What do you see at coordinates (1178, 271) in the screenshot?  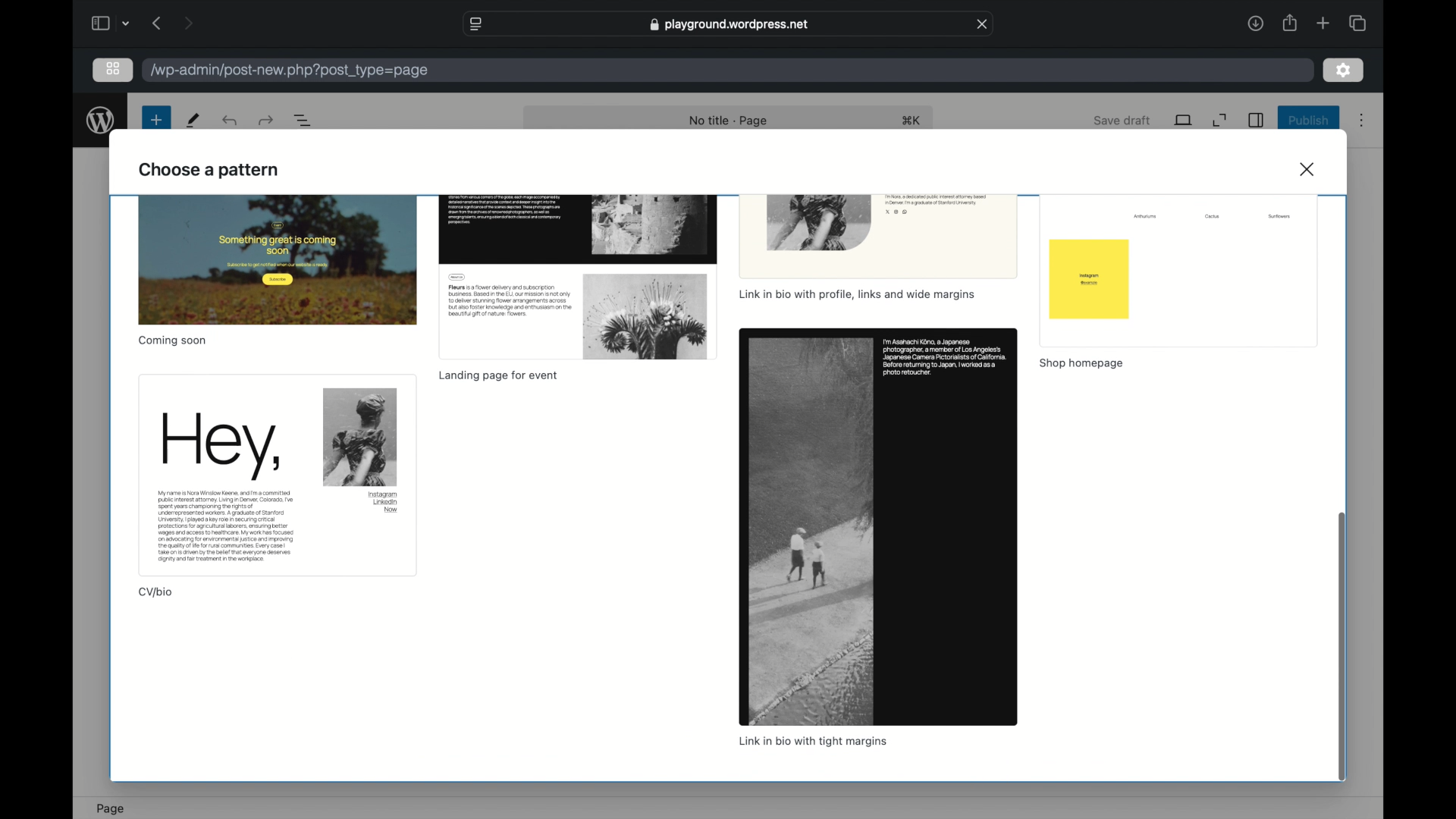 I see `preview` at bounding box center [1178, 271].